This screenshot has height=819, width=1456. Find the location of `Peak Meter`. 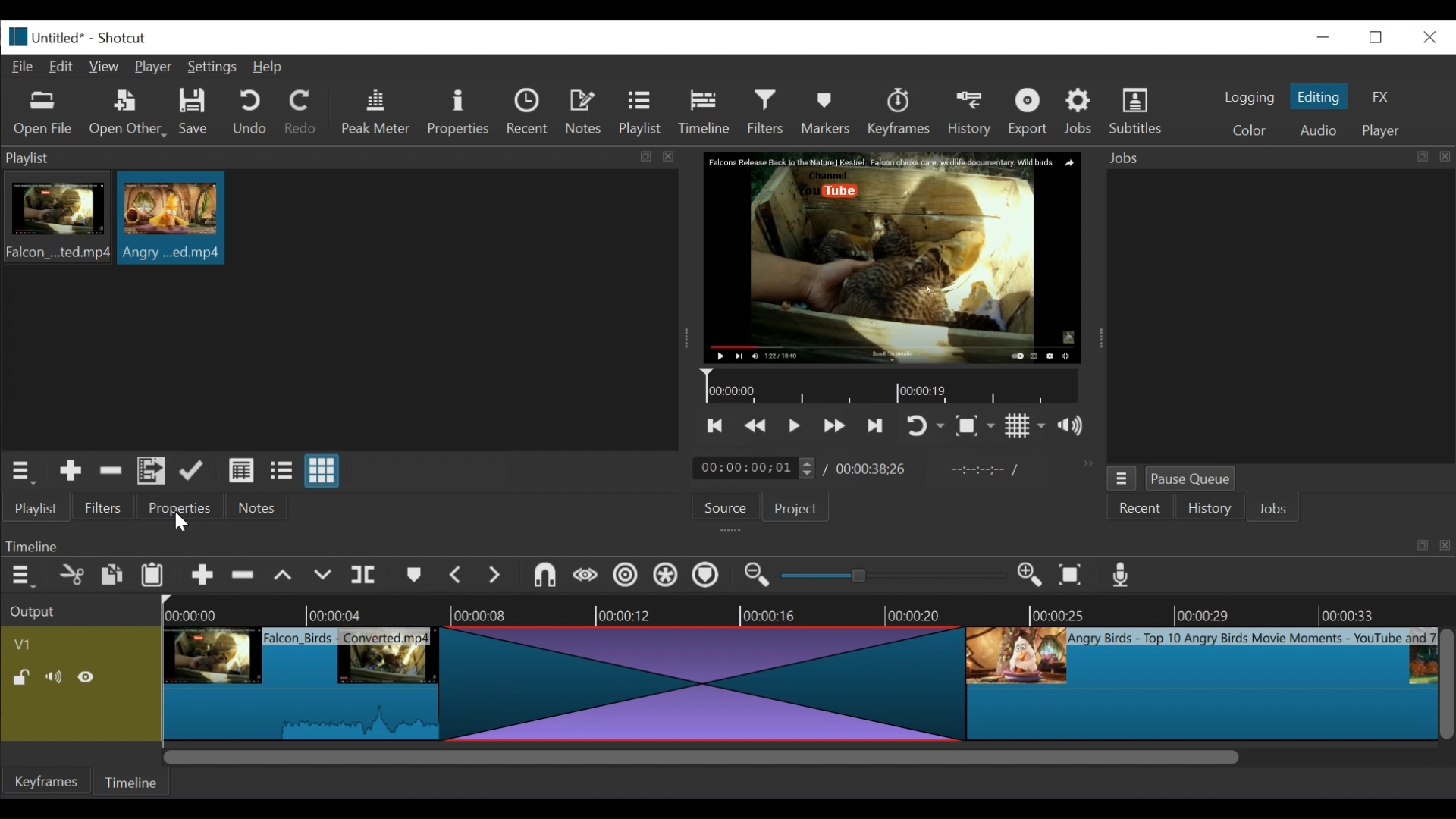

Peak Meter is located at coordinates (378, 112).